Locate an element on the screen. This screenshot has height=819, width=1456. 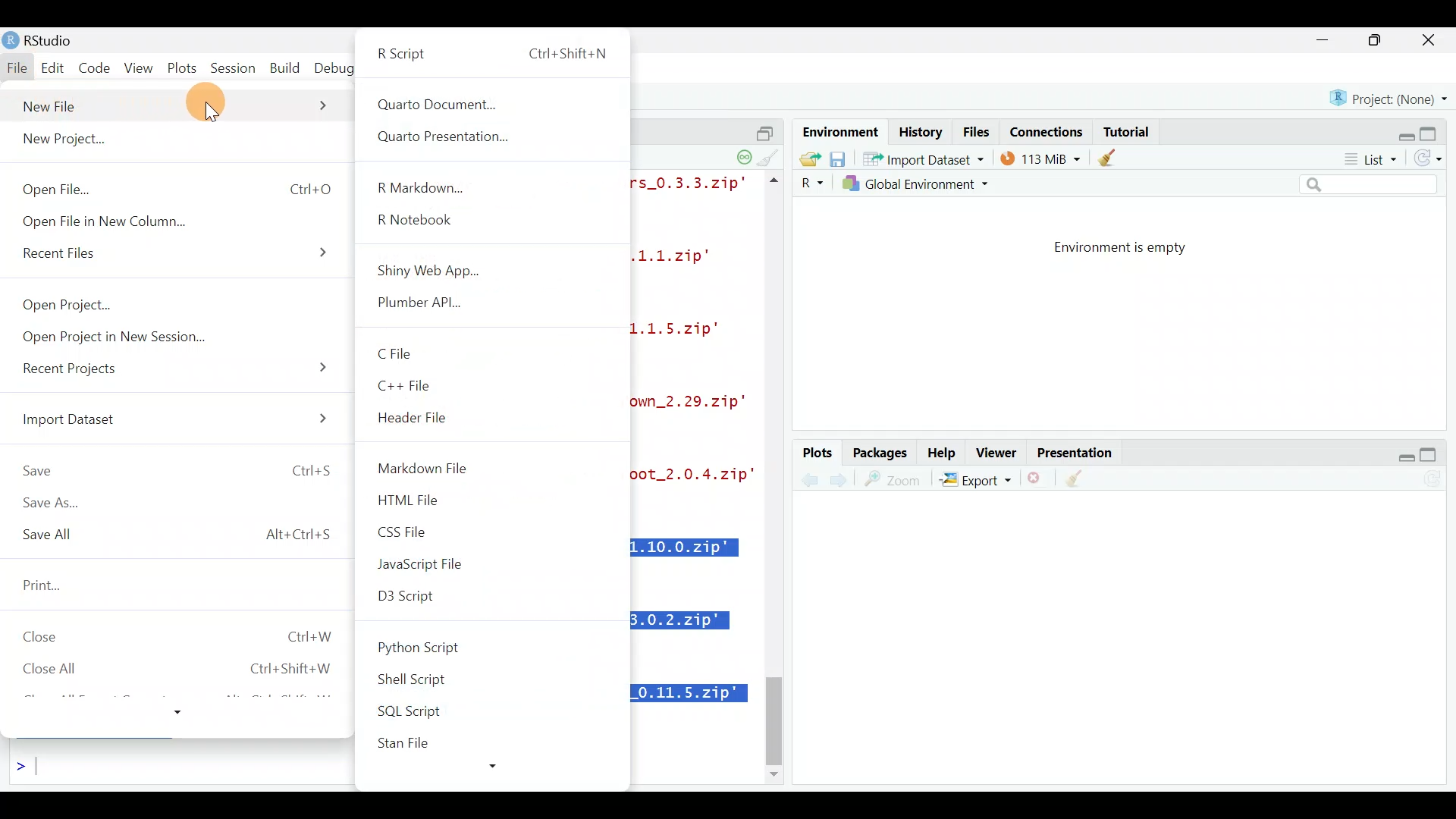
Quarto Presentation... is located at coordinates (447, 141).